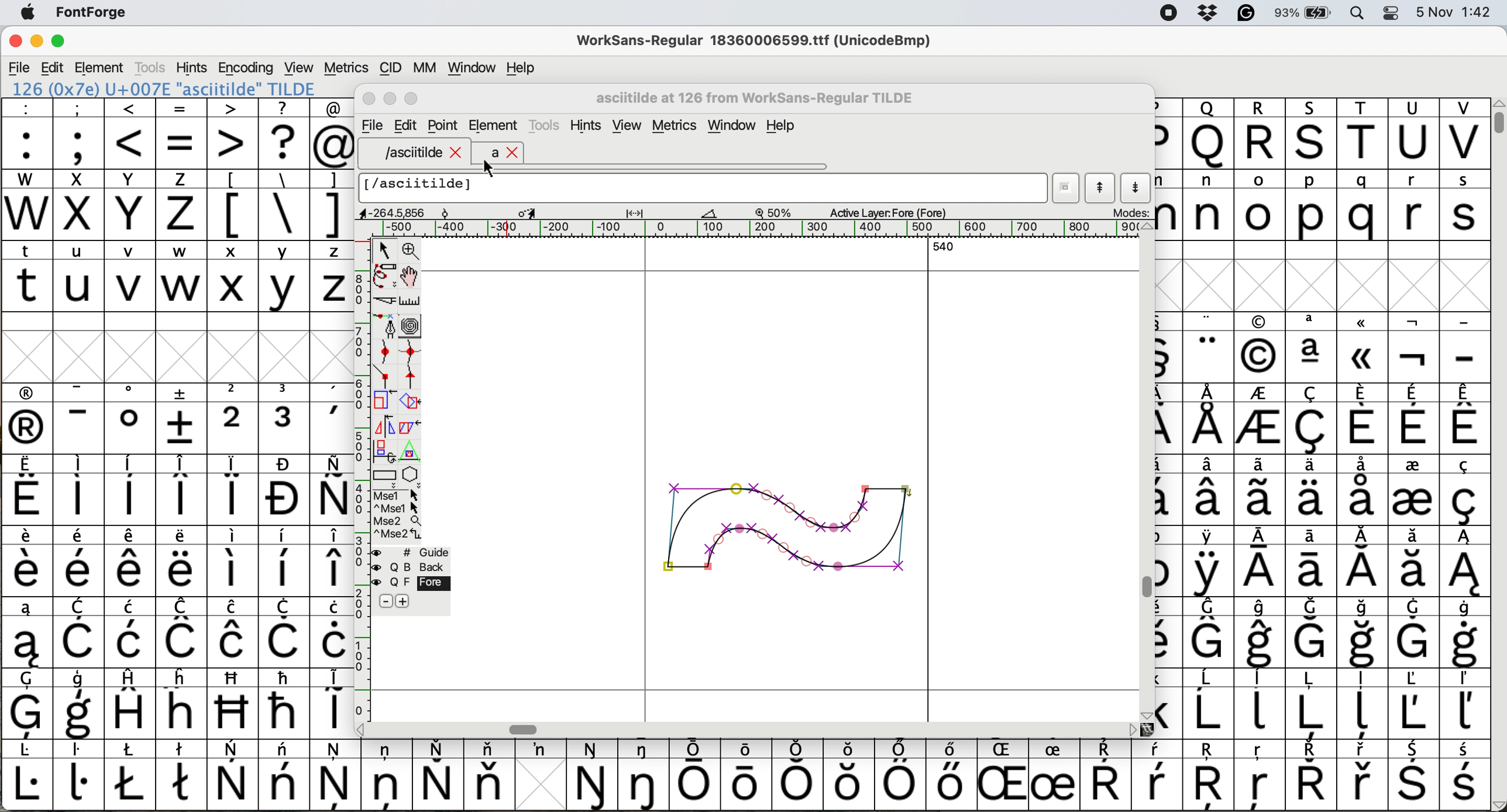 This screenshot has width=1507, height=812. I want to click on symbol, so click(130, 490).